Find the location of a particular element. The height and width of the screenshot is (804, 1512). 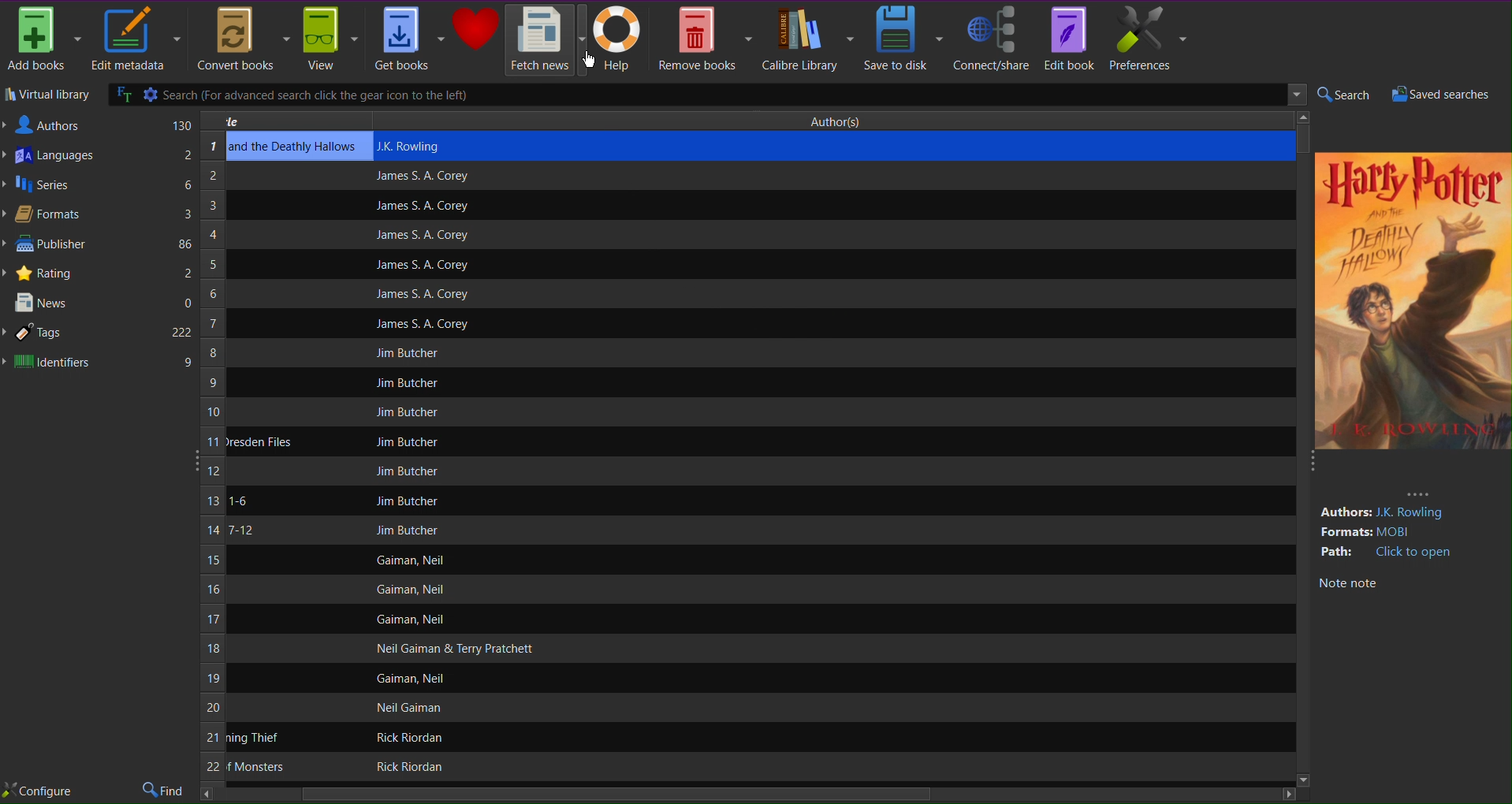

Note note is located at coordinates (1347, 584).